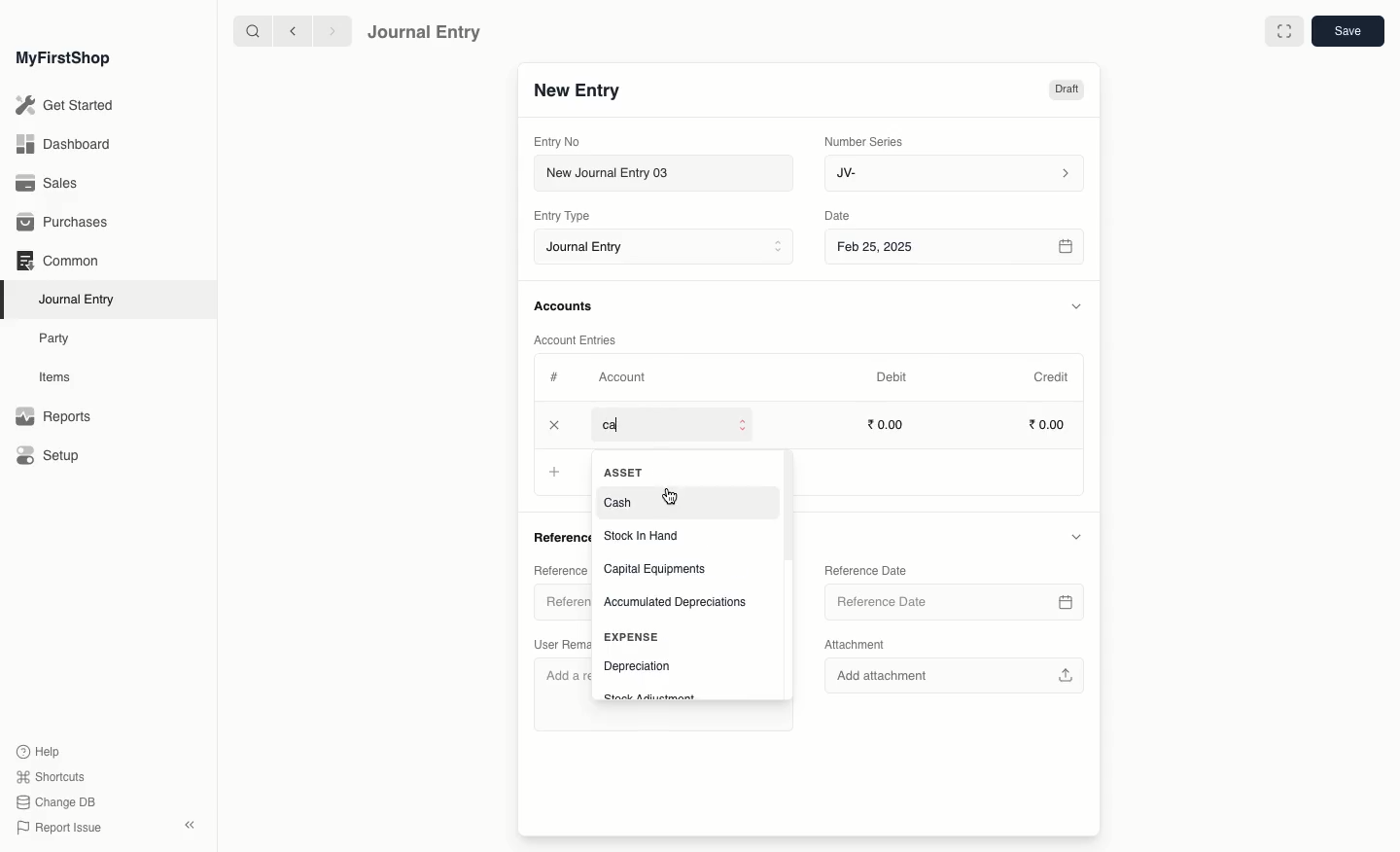  I want to click on Add, so click(554, 473).